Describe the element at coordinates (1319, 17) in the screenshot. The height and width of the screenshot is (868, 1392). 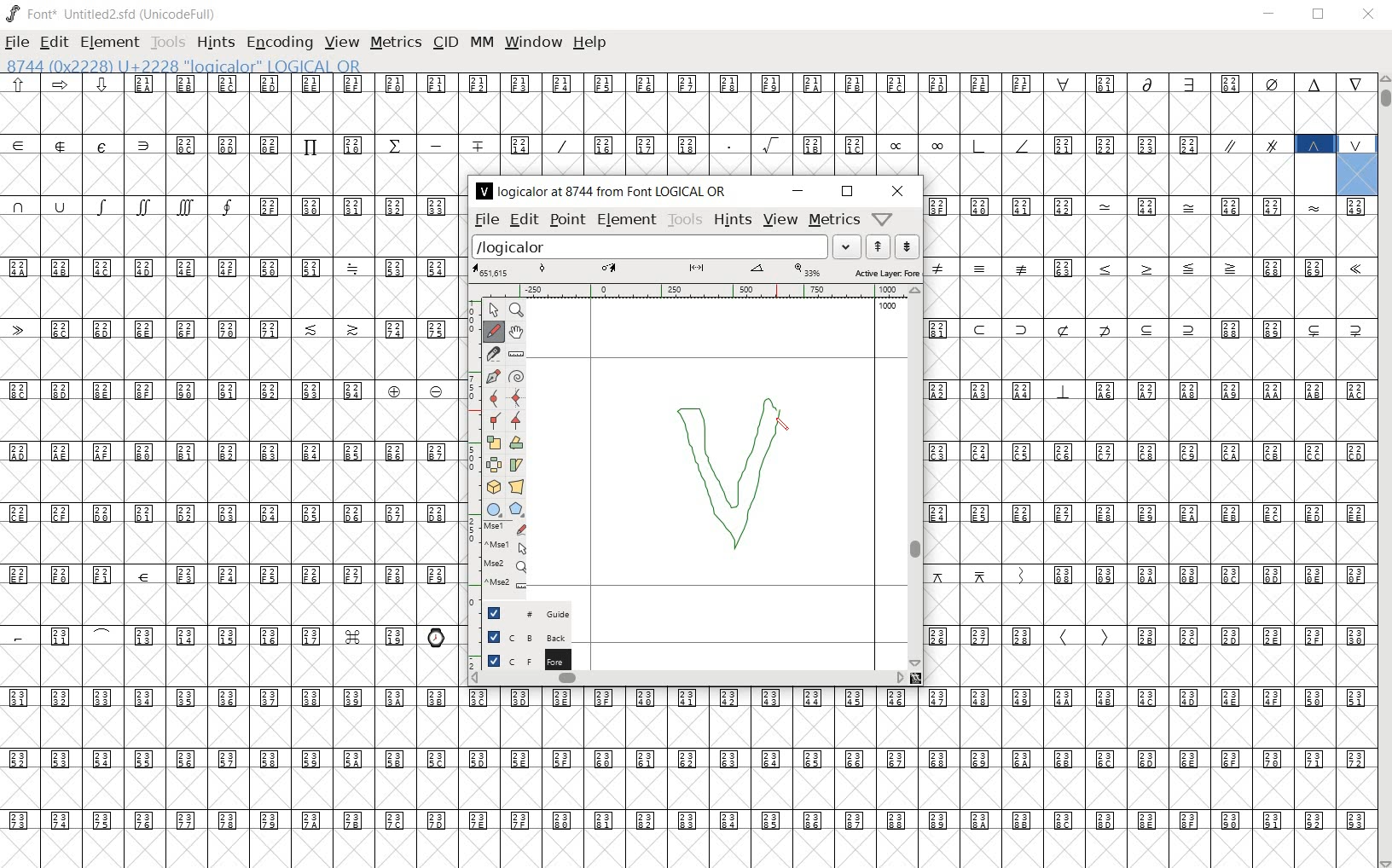
I see `restore` at that location.